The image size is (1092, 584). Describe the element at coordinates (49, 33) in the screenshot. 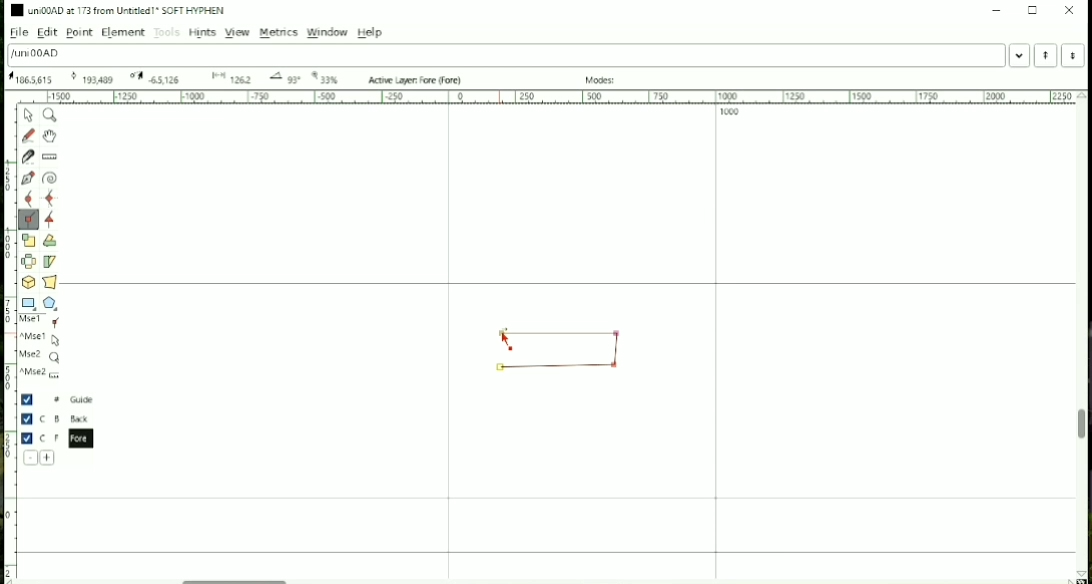

I see `Edit` at that location.